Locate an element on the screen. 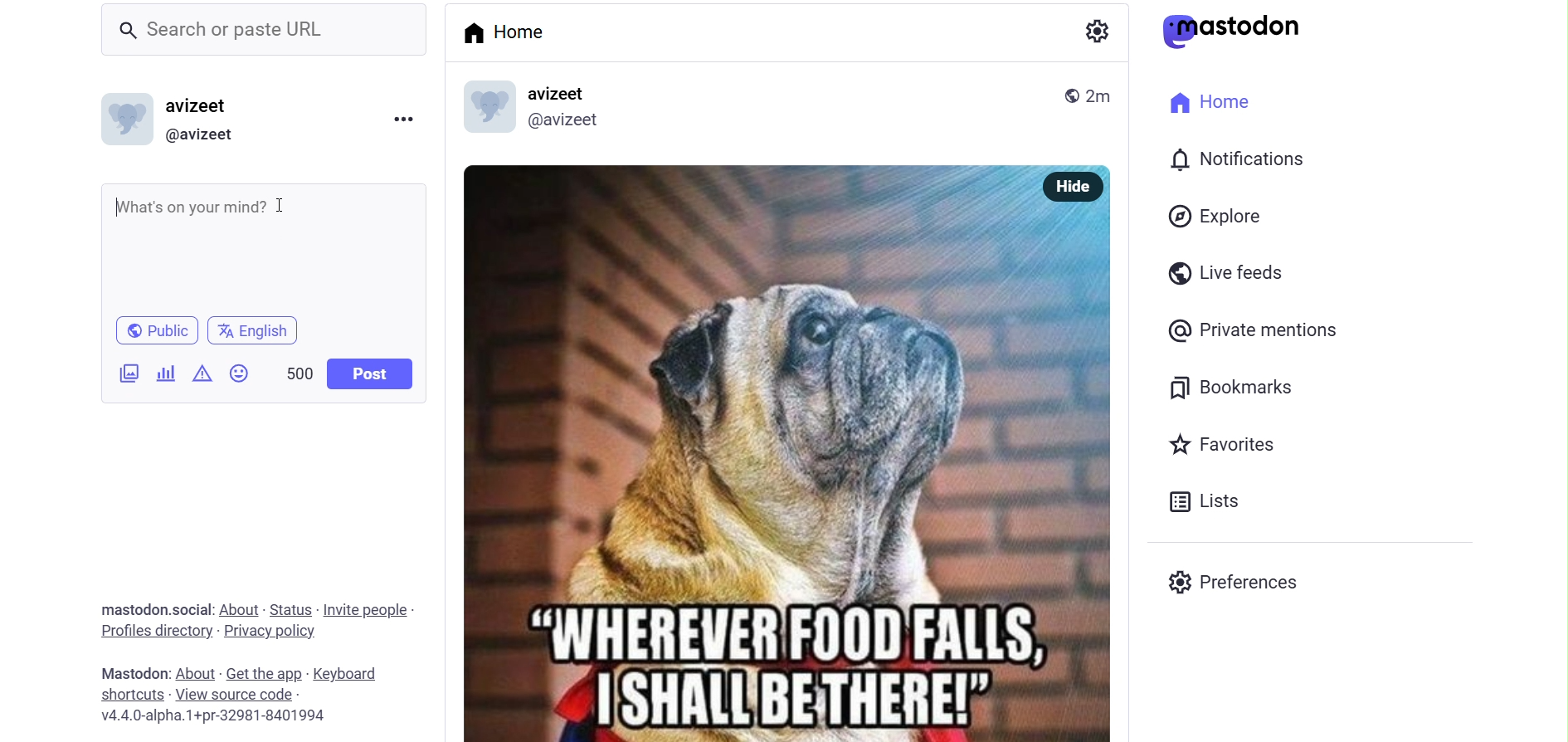  post is located at coordinates (368, 373).